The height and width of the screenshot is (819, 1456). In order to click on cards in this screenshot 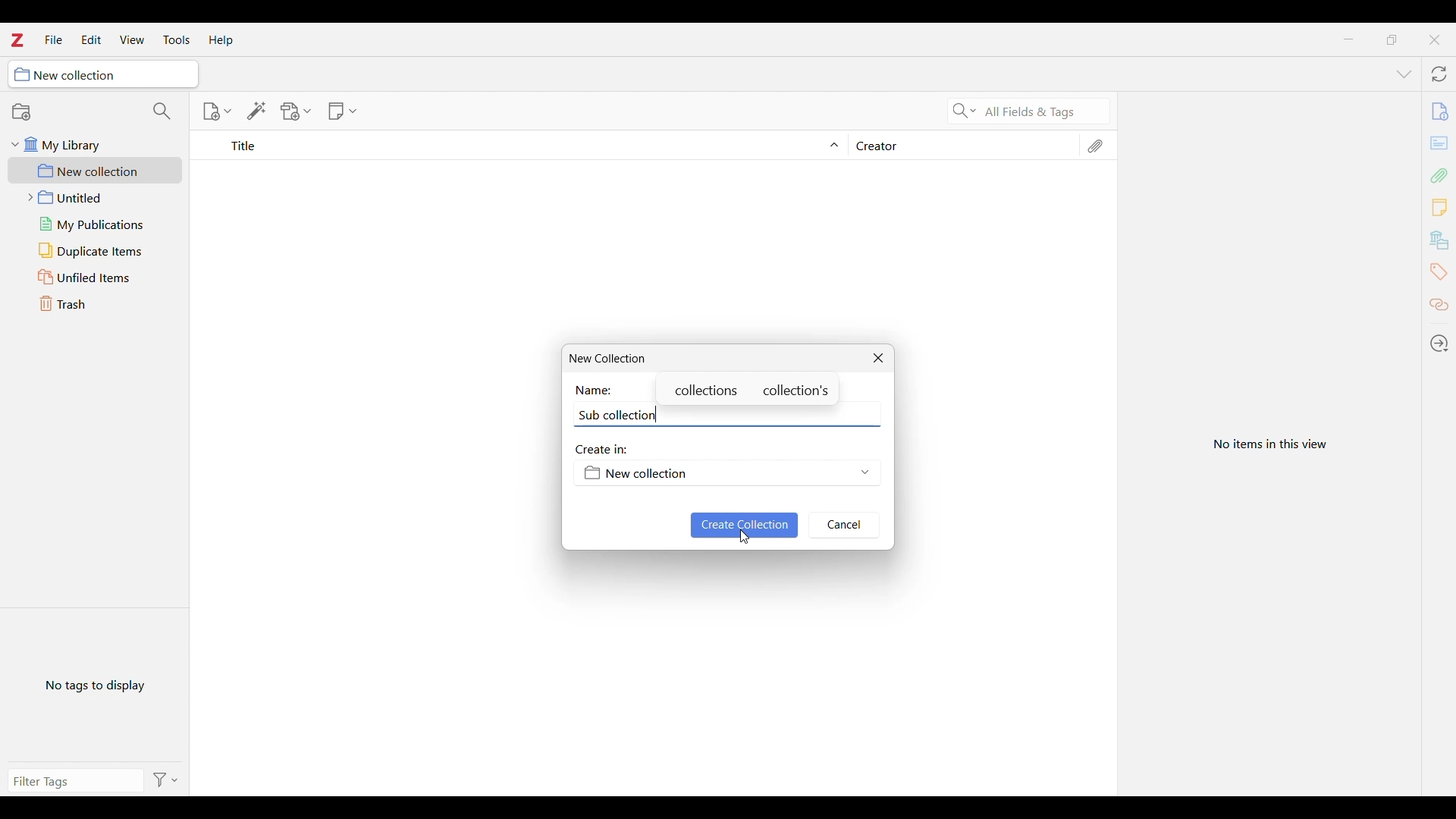, I will do `click(1441, 145)`.